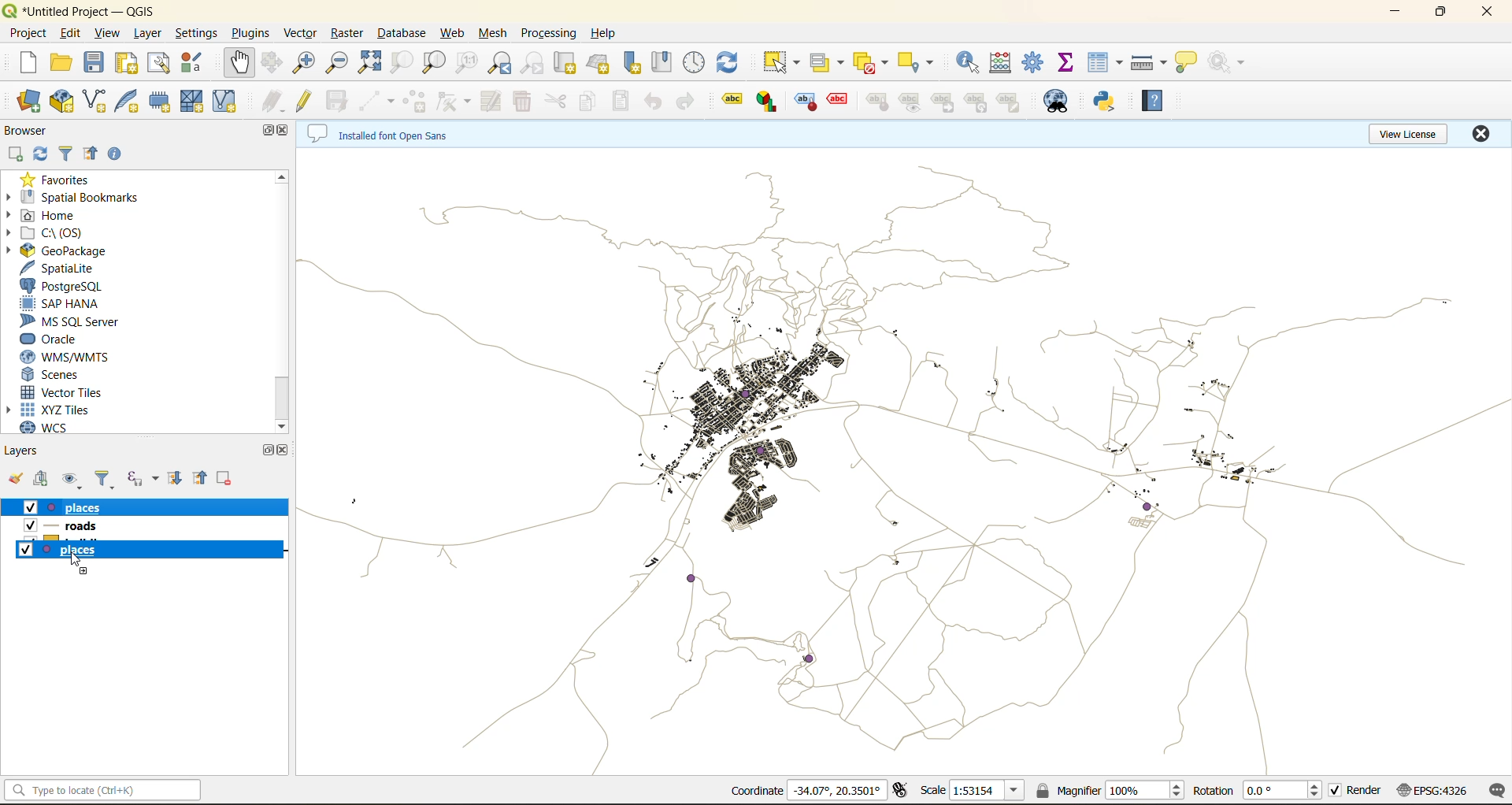  Describe the element at coordinates (414, 99) in the screenshot. I see `add polygon` at that location.